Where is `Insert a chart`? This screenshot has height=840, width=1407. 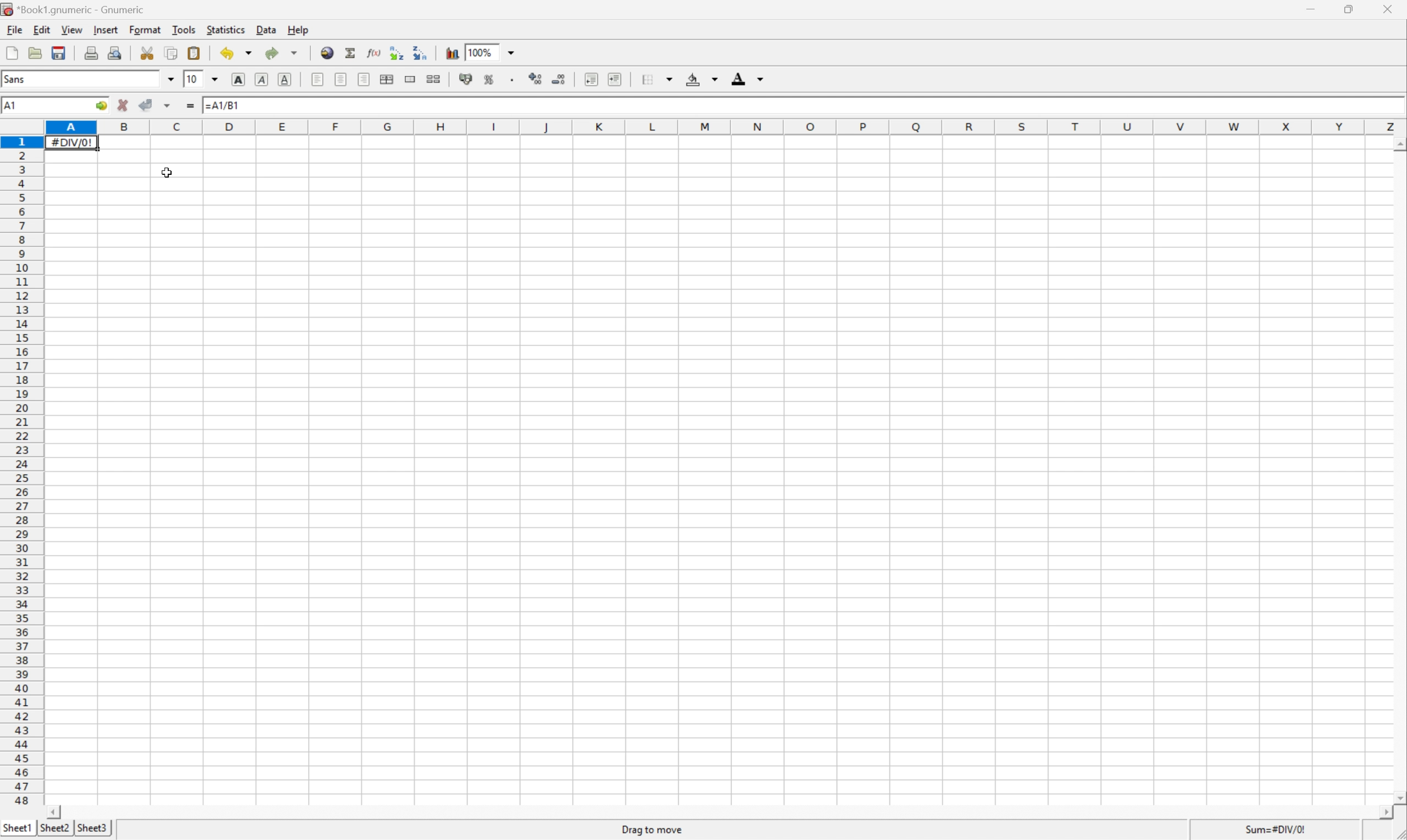
Insert a chart is located at coordinates (452, 53).